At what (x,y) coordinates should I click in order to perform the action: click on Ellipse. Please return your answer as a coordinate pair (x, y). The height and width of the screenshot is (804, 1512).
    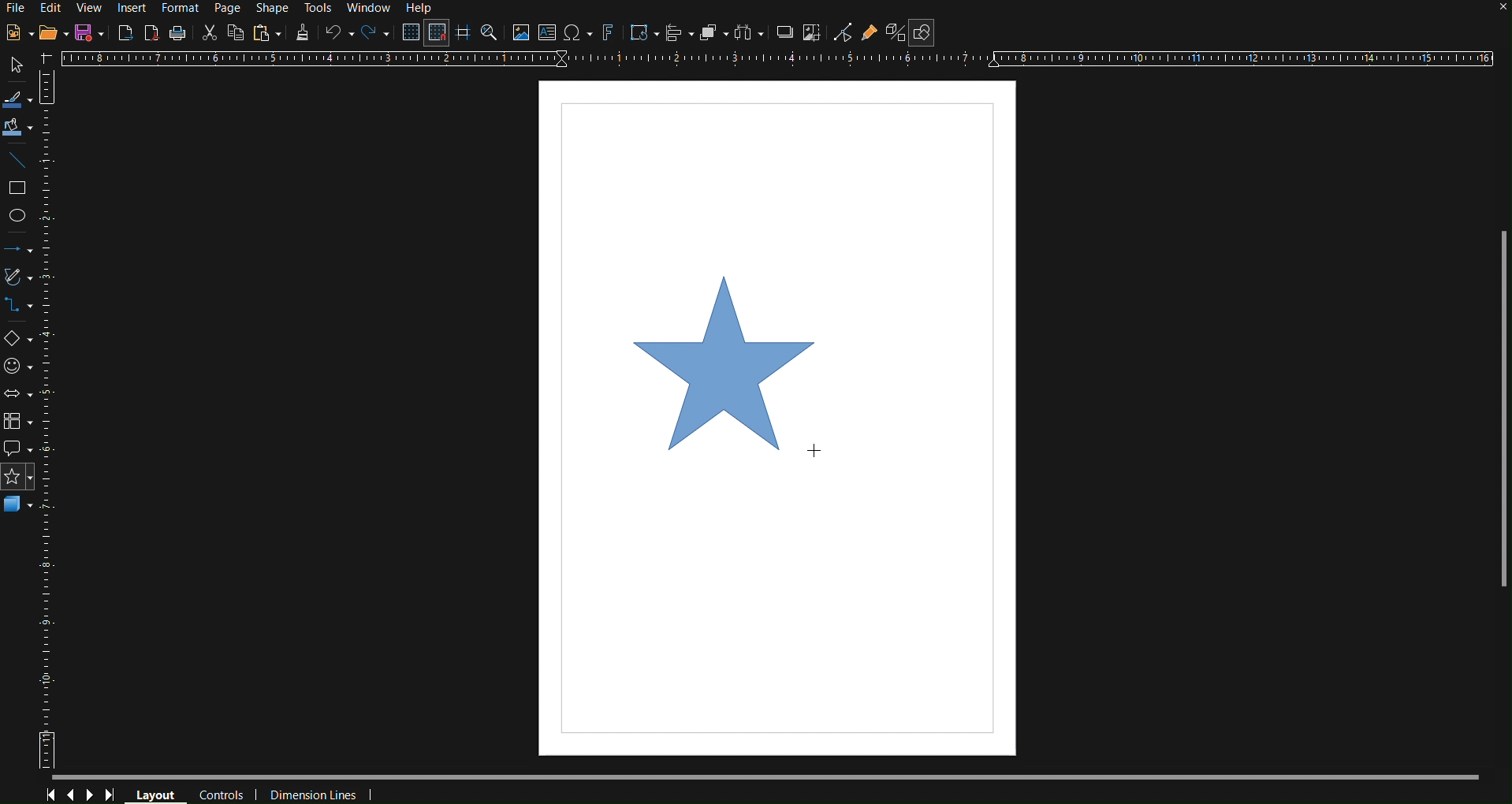
    Looking at the image, I should click on (22, 217).